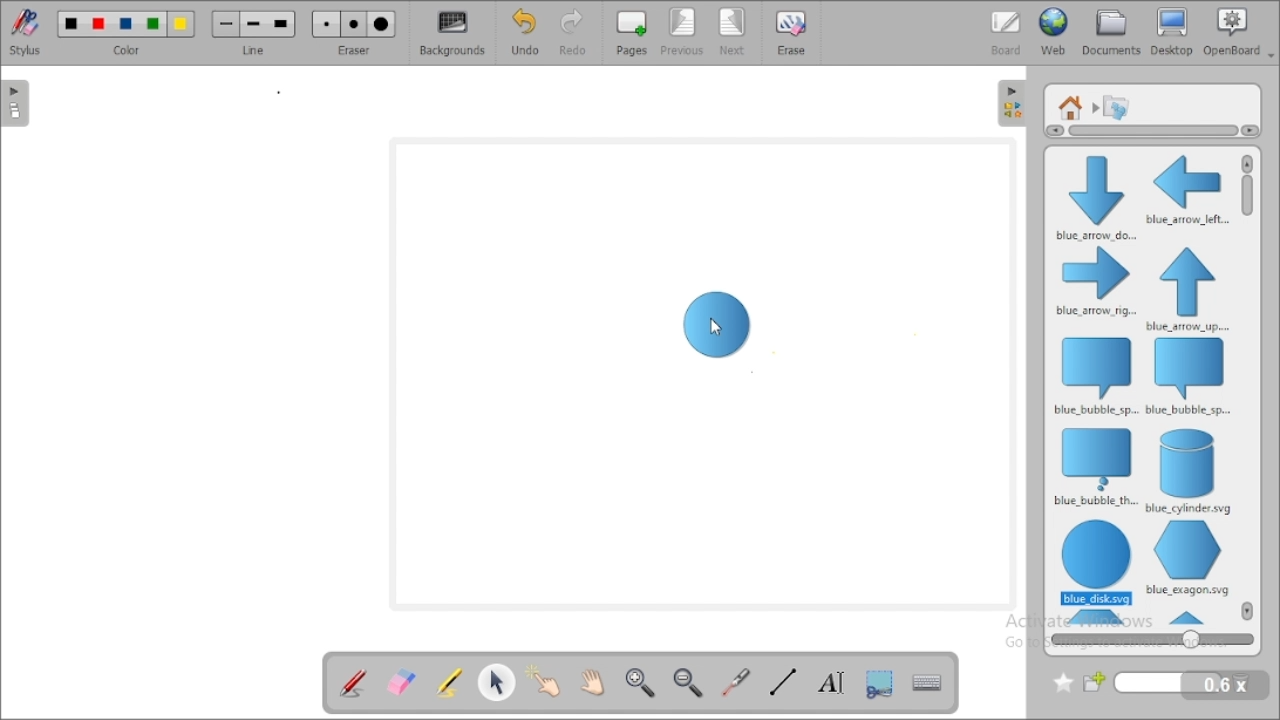  Describe the element at coordinates (354, 32) in the screenshot. I see `eraser` at that location.